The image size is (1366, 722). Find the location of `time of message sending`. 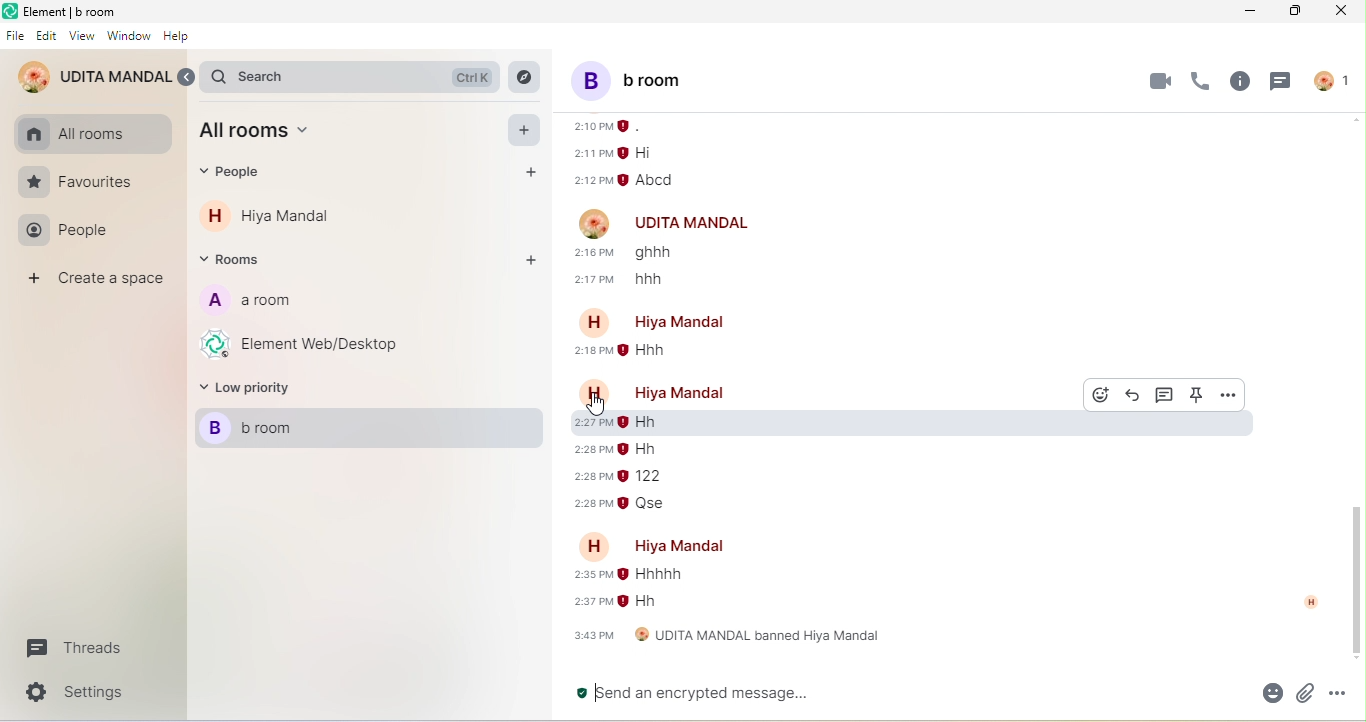

time of message sending is located at coordinates (591, 153).